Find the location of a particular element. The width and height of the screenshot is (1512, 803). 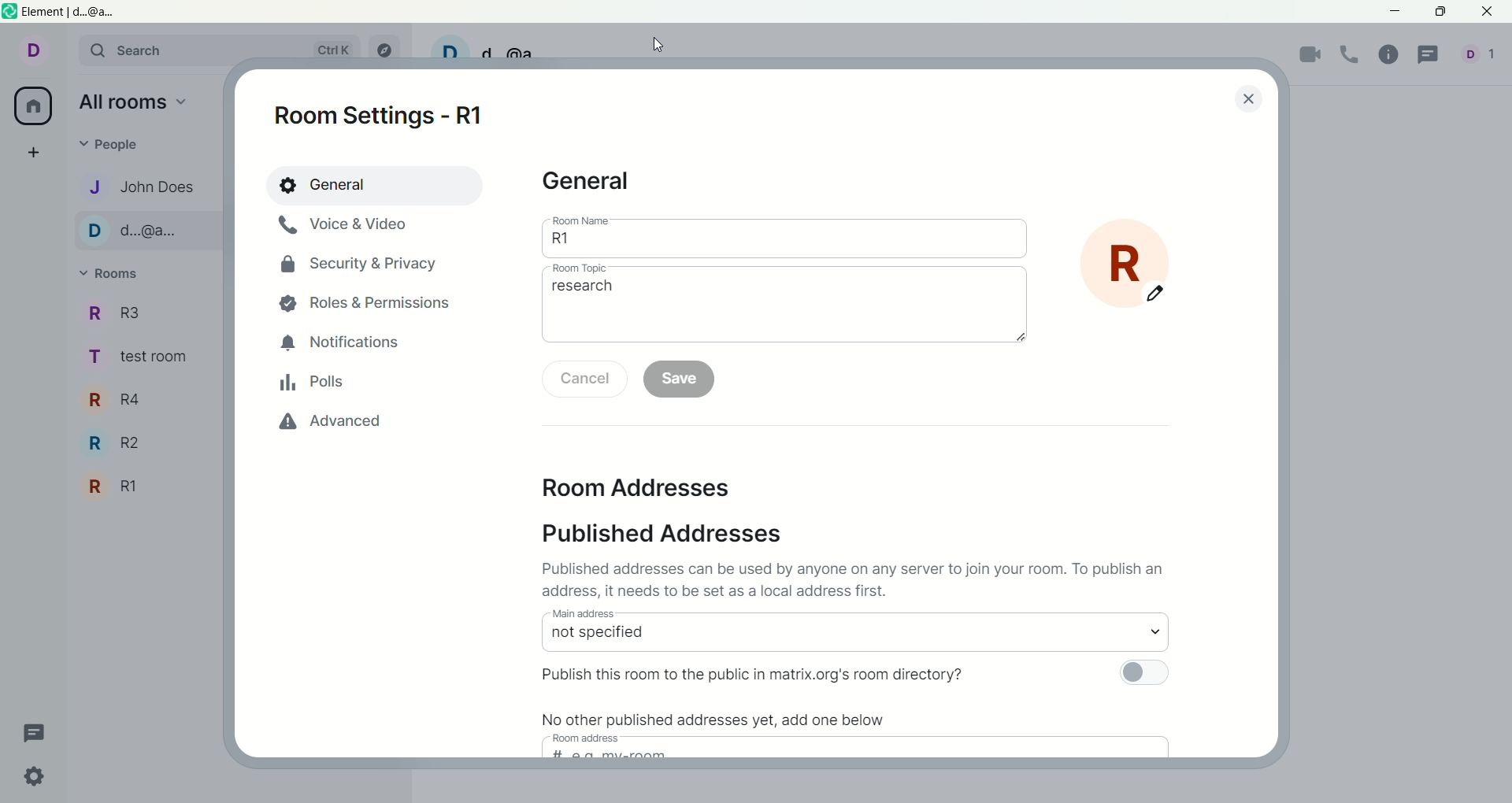

j john does is located at coordinates (143, 187).